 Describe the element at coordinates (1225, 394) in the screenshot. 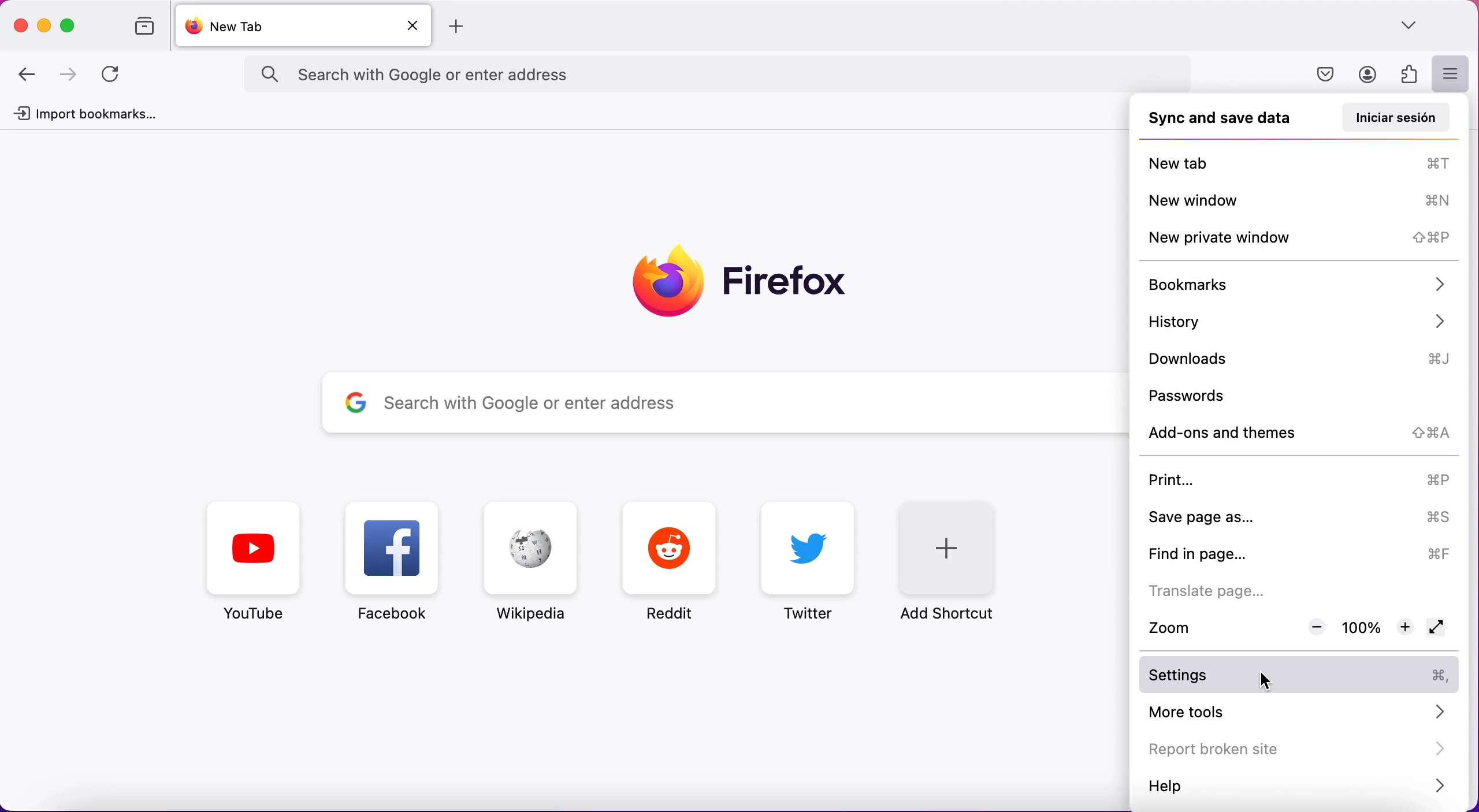

I see `passwords` at that location.